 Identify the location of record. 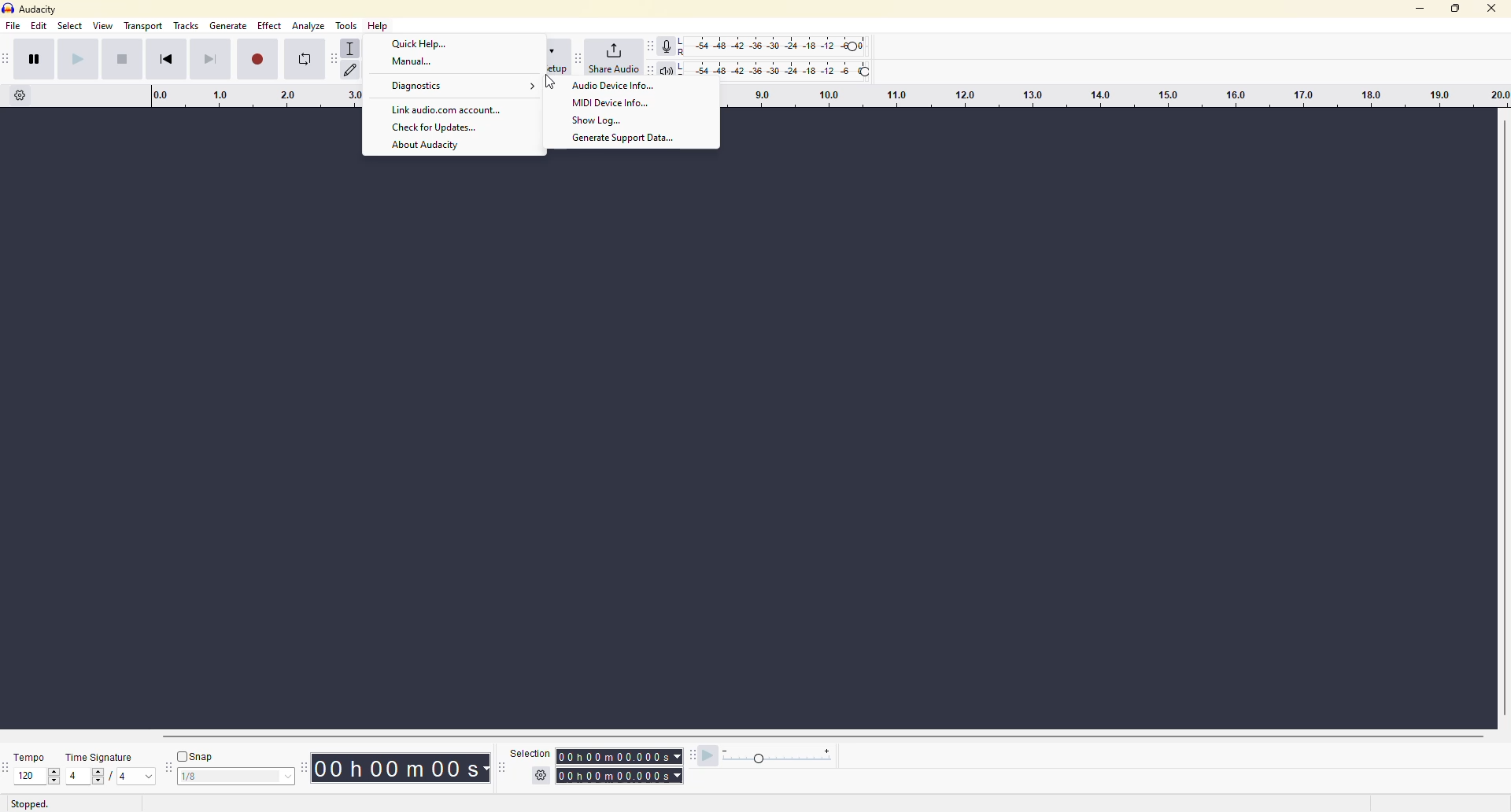
(260, 57).